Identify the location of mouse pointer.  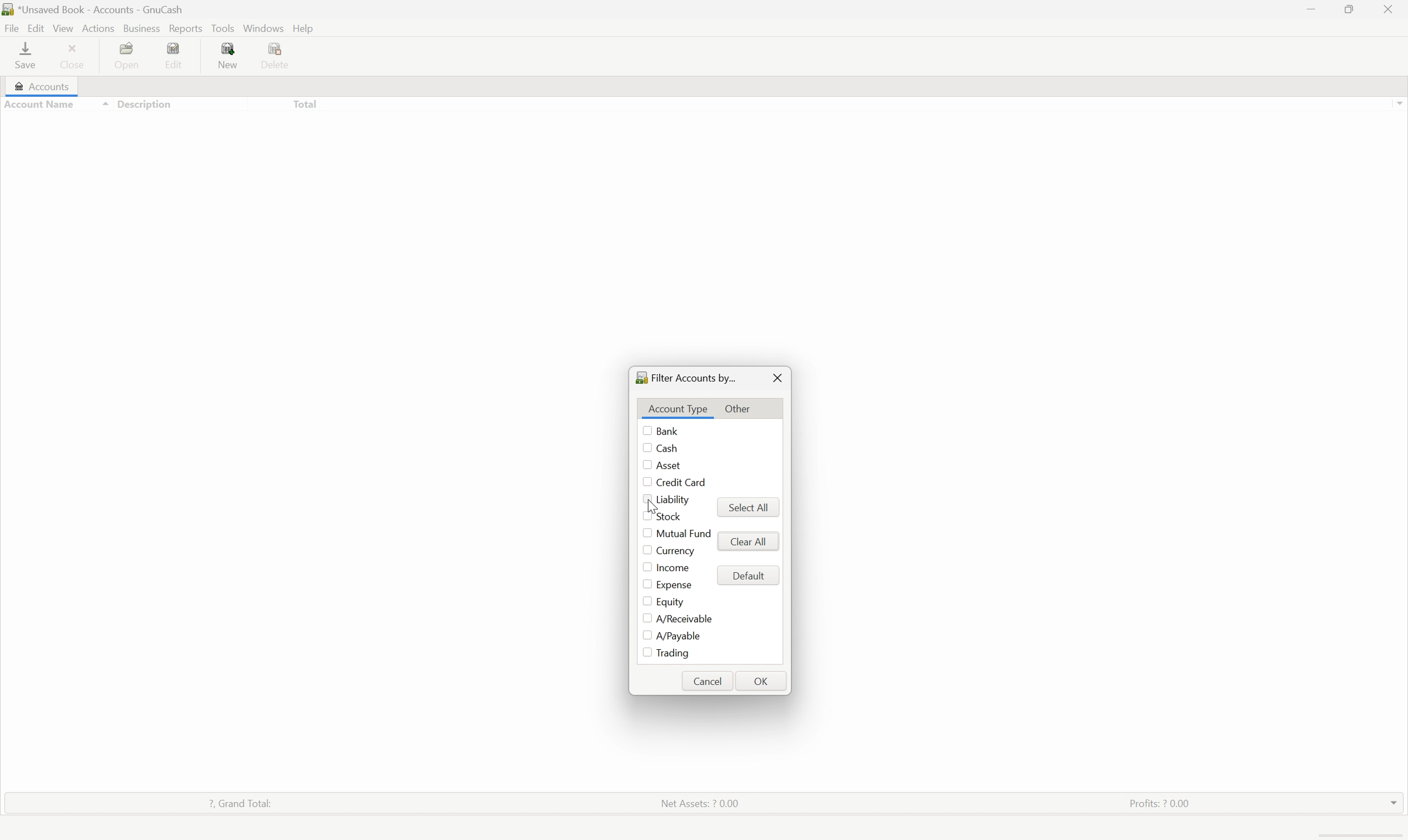
(653, 506).